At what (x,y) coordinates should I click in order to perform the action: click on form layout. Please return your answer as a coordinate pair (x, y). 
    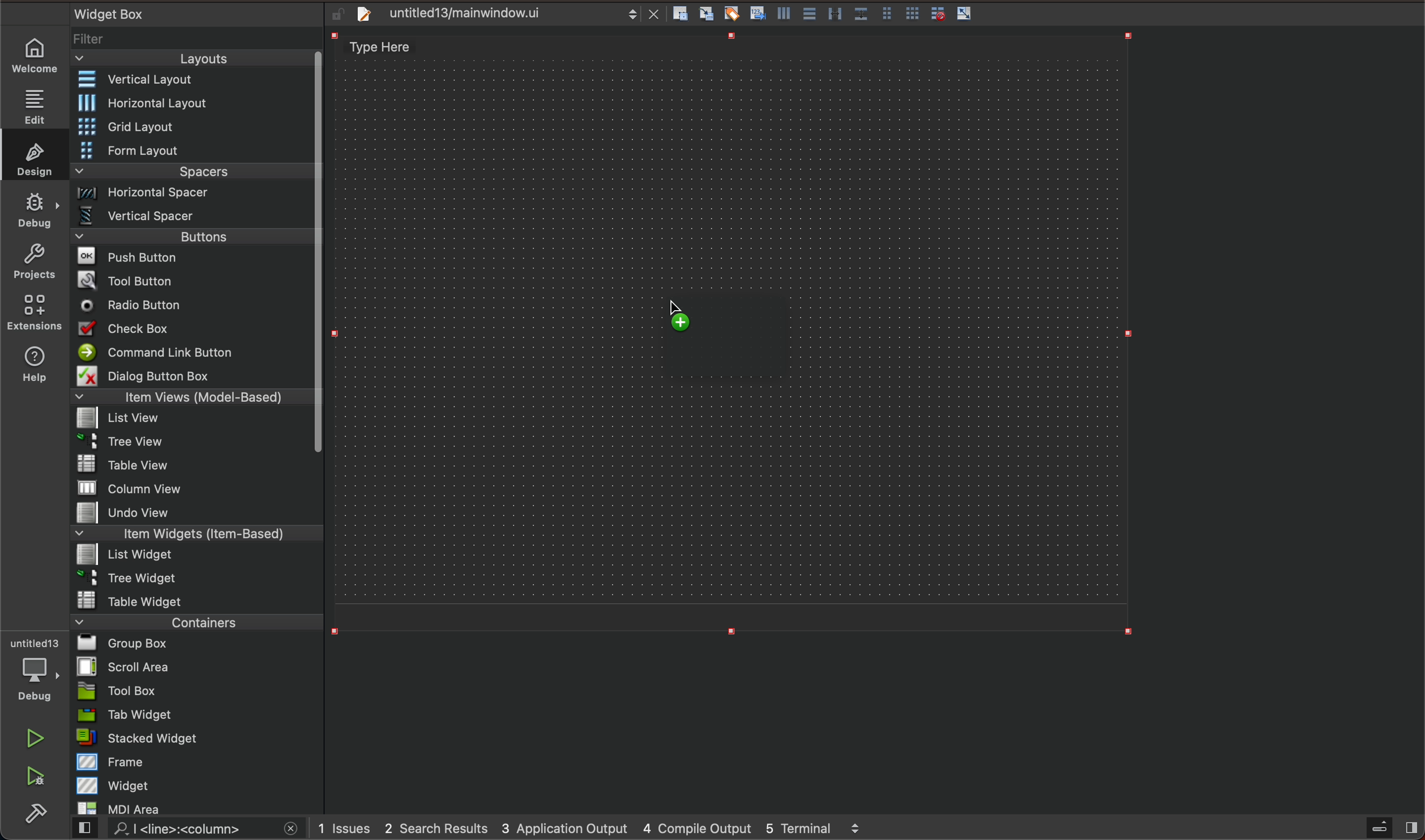
    Looking at the image, I should click on (193, 149).